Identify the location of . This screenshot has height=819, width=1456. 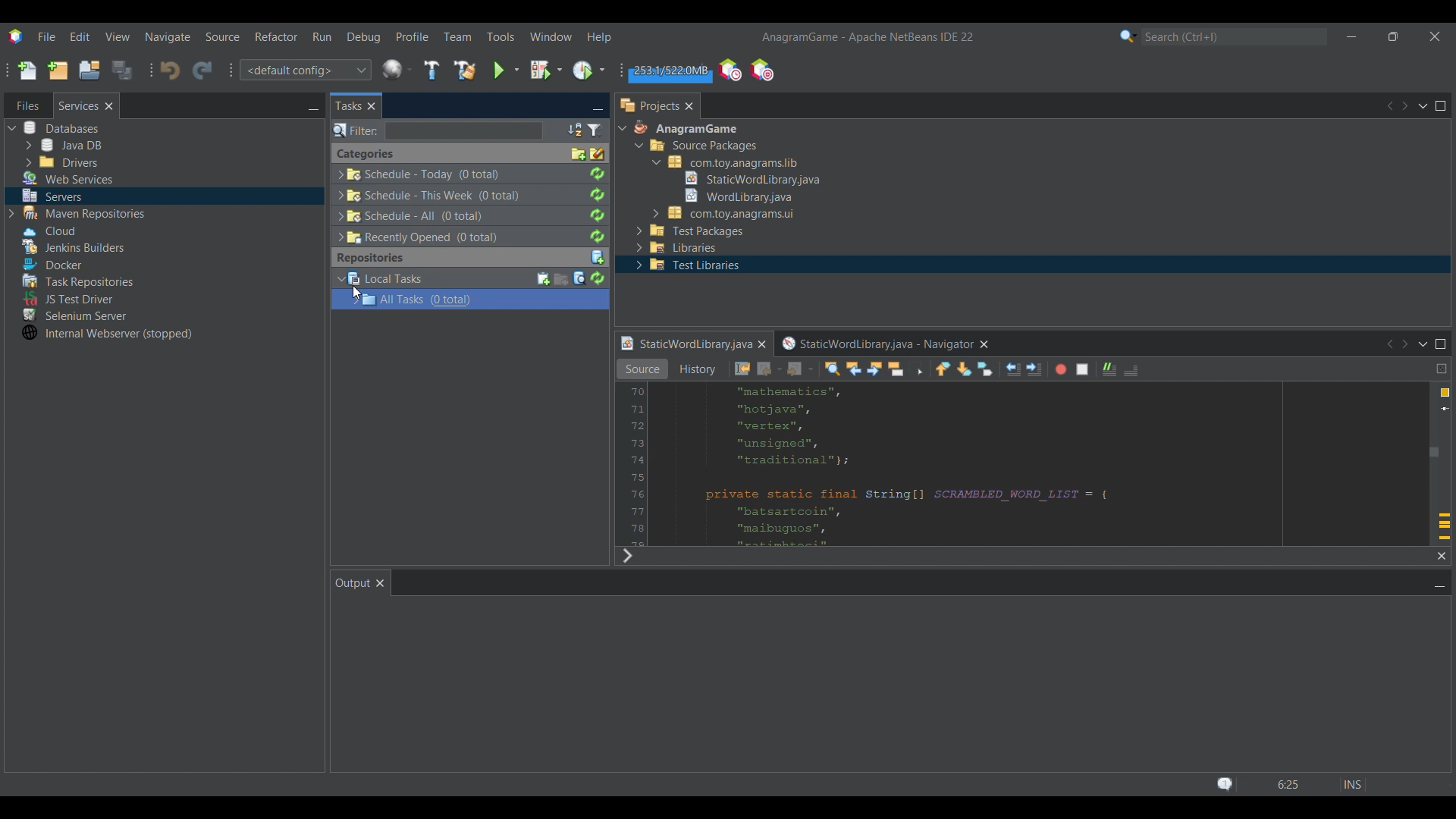
(907, 367).